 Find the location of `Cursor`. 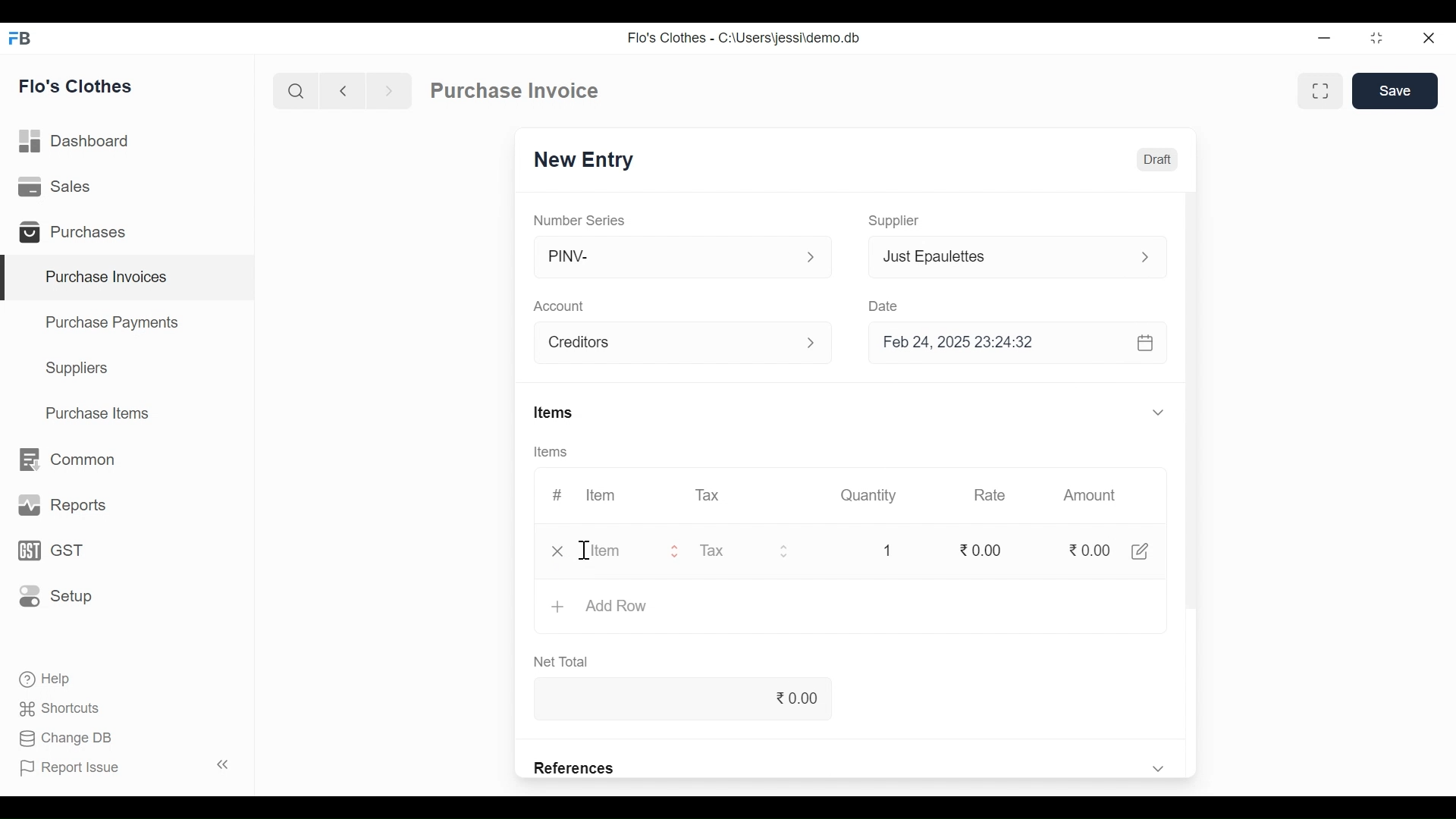

Cursor is located at coordinates (584, 549).